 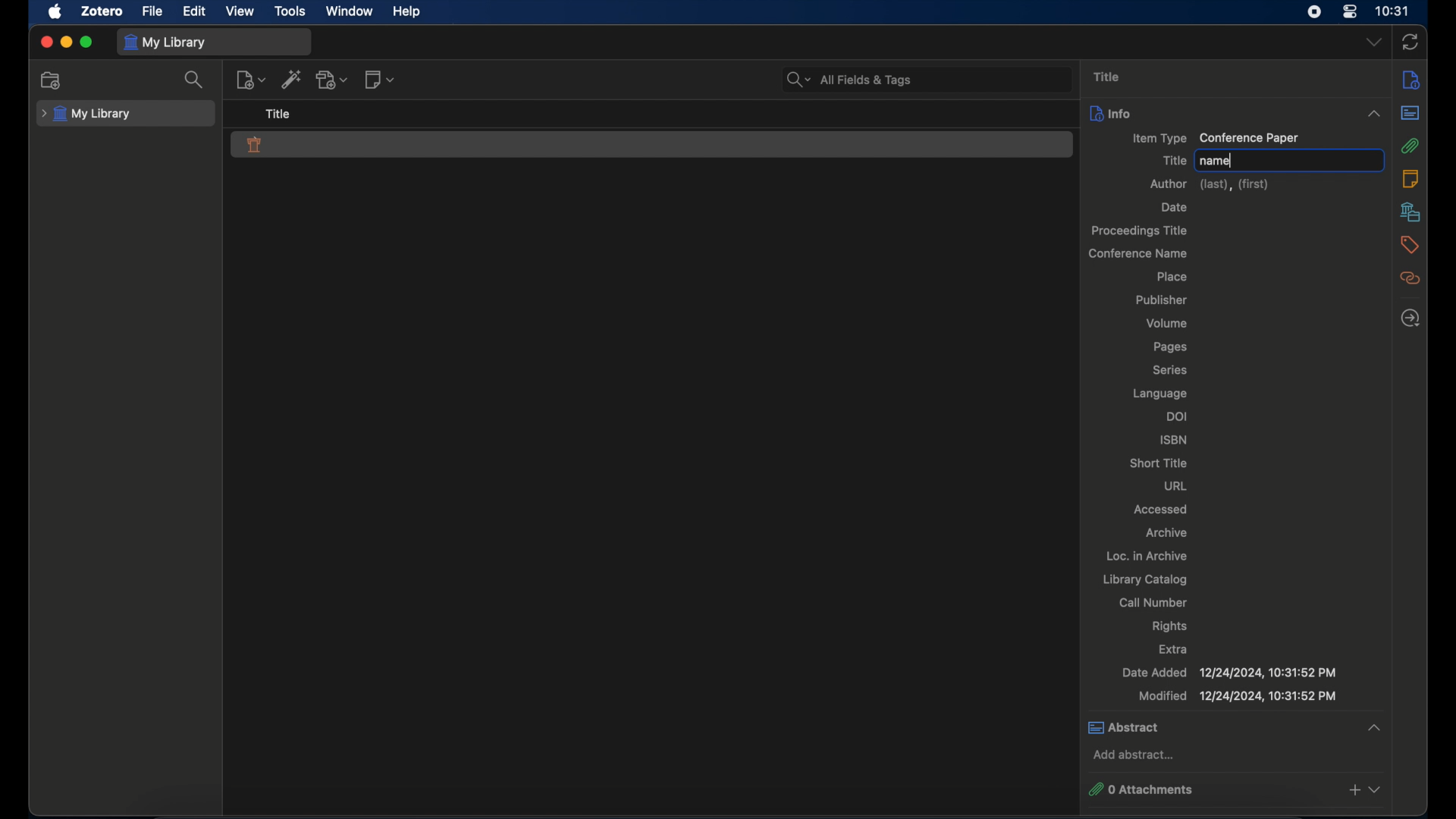 What do you see at coordinates (279, 113) in the screenshot?
I see `title` at bounding box center [279, 113].